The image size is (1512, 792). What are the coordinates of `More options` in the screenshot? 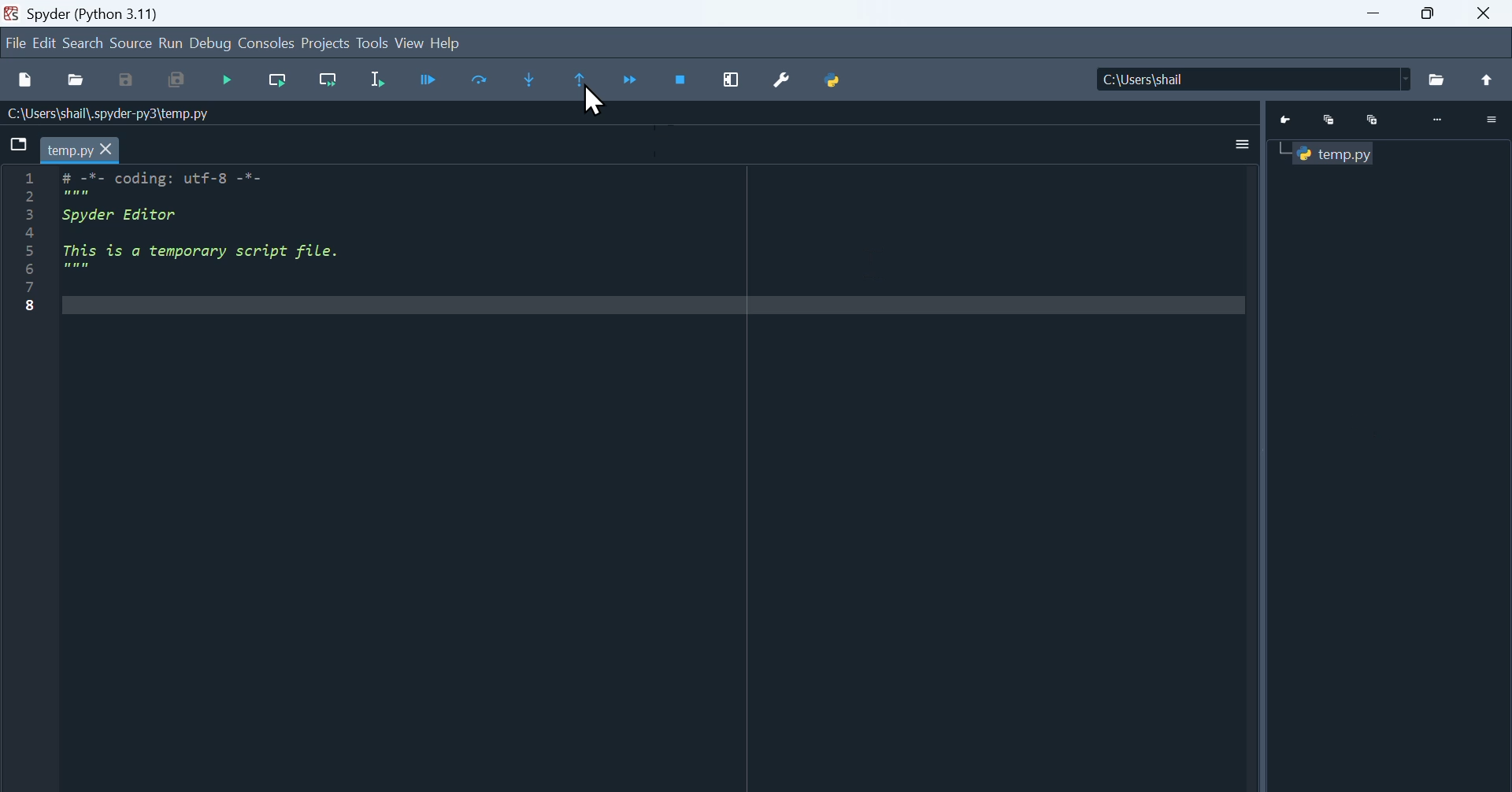 It's located at (1245, 145).